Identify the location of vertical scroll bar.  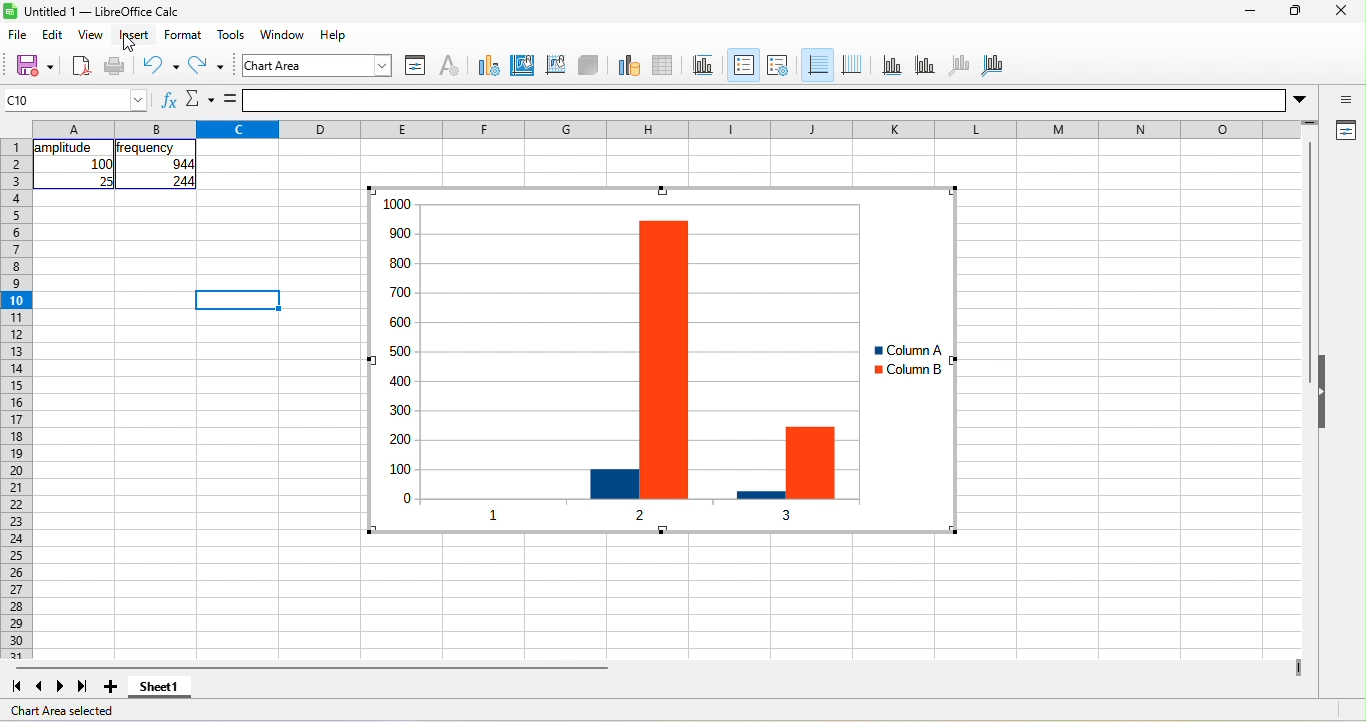
(1308, 265).